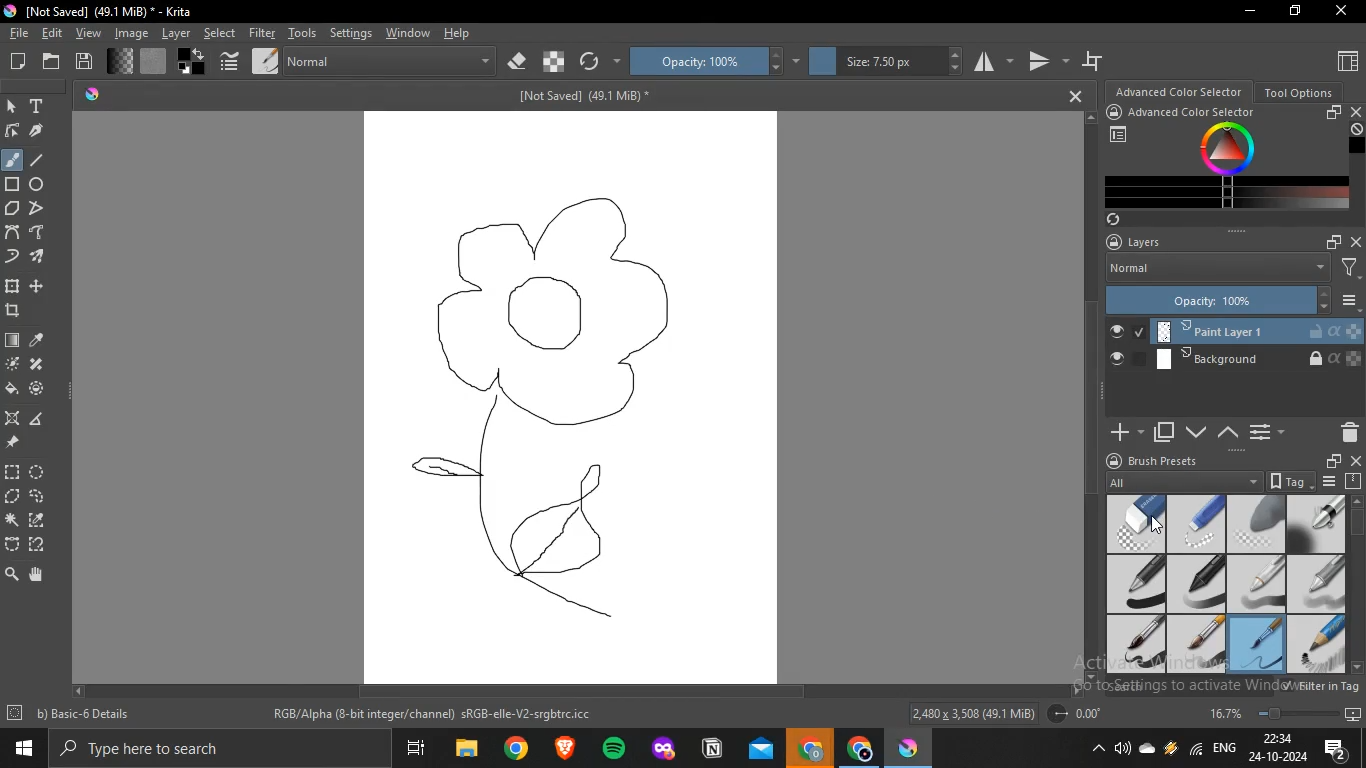  Describe the element at coordinates (1318, 645) in the screenshot. I see `basic 1 sketch` at that location.